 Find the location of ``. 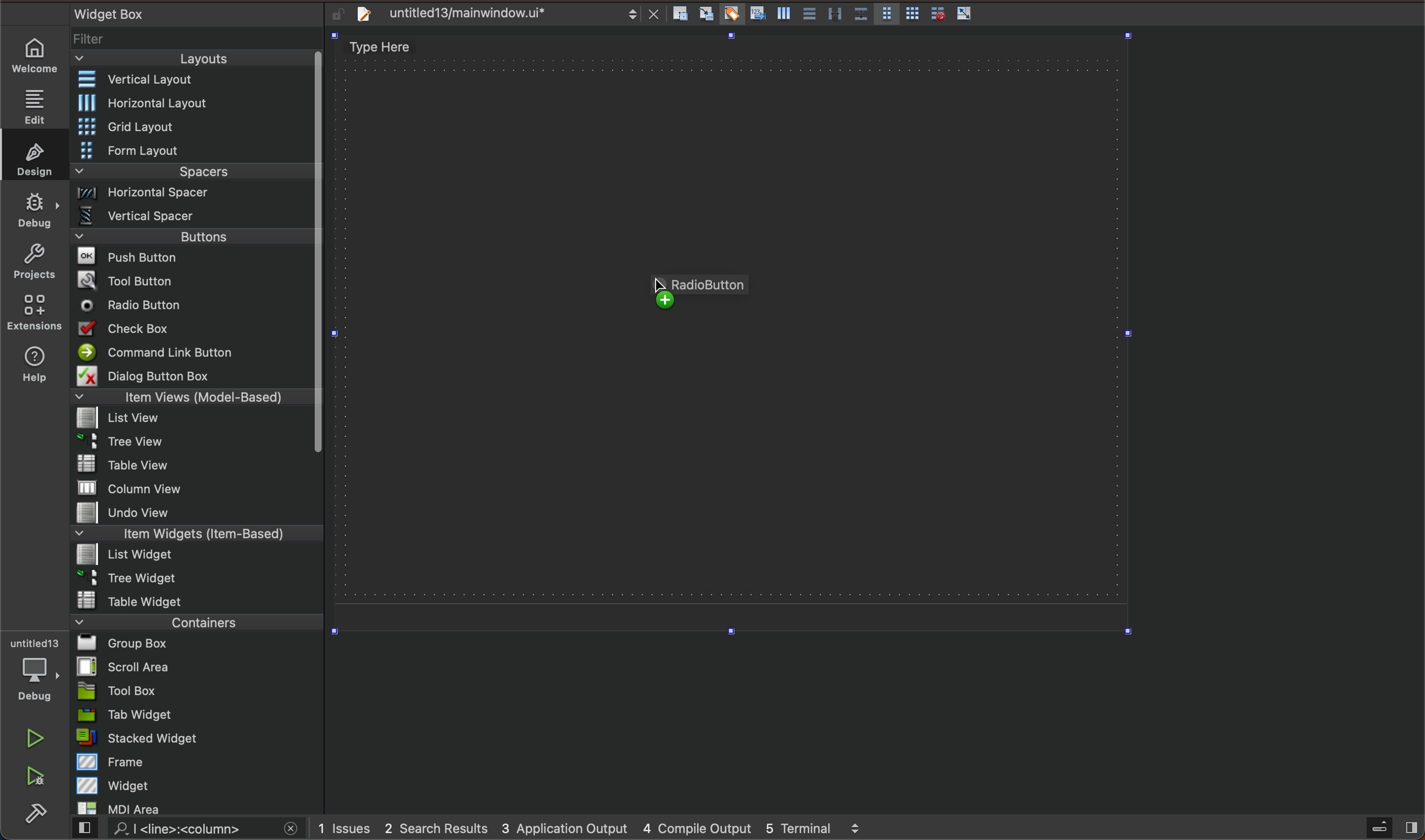

 is located at coordinates (193, 556).